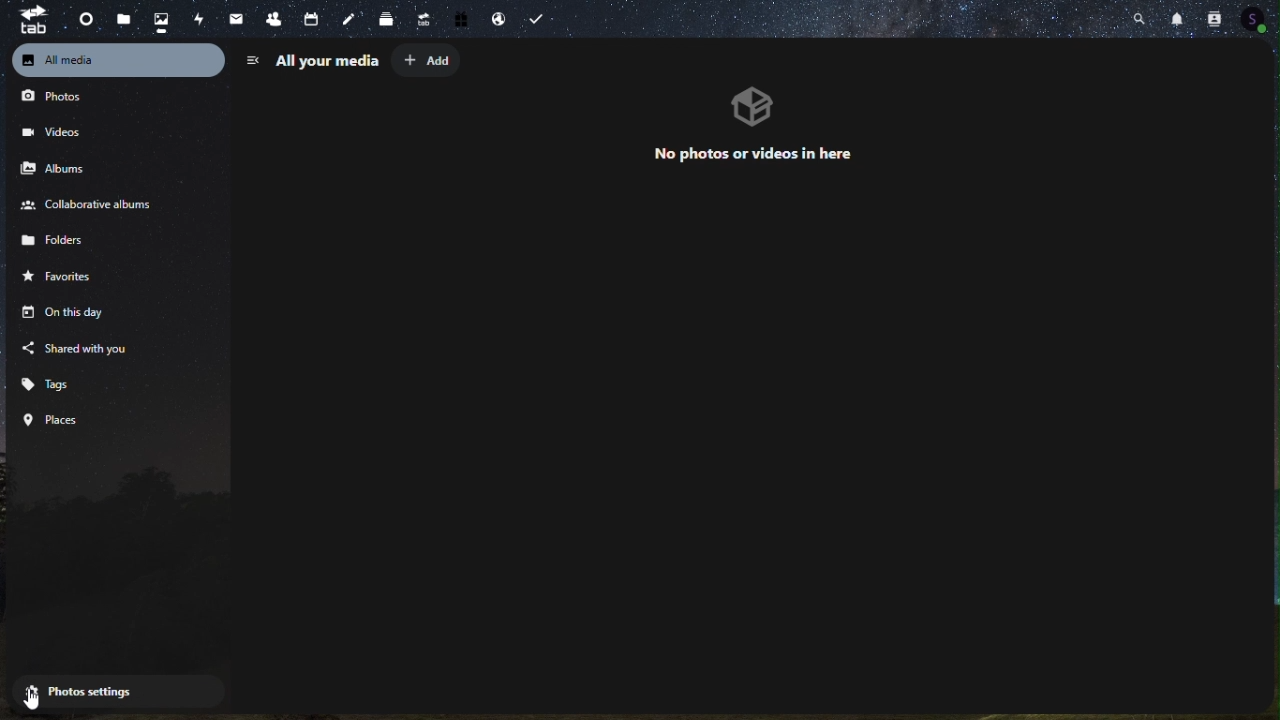 The width and height of the screenshot is (1280, 720). I want to click on Profile, so click(1258, 20).